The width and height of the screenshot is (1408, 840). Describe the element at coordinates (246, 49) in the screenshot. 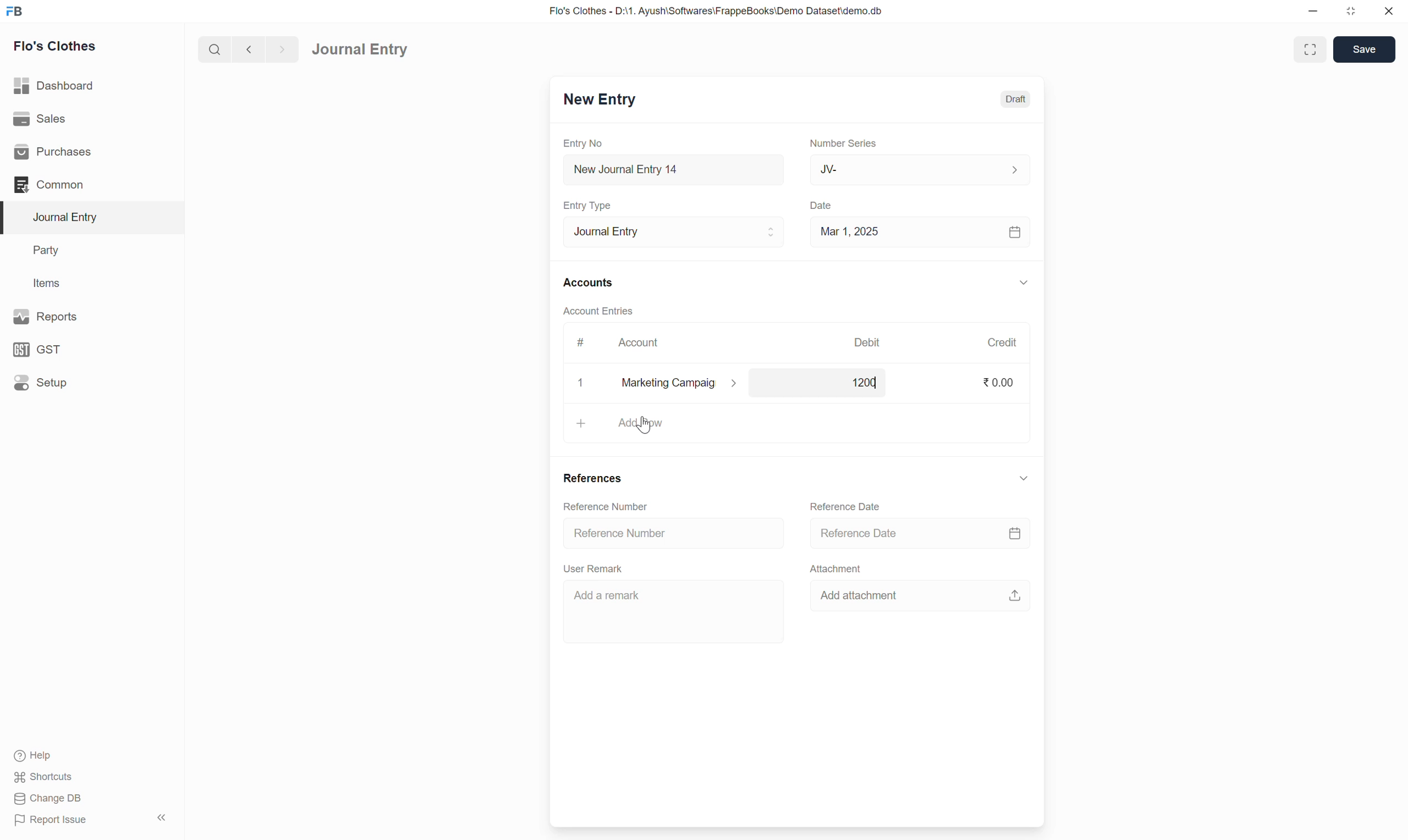

I see `back` at that location.